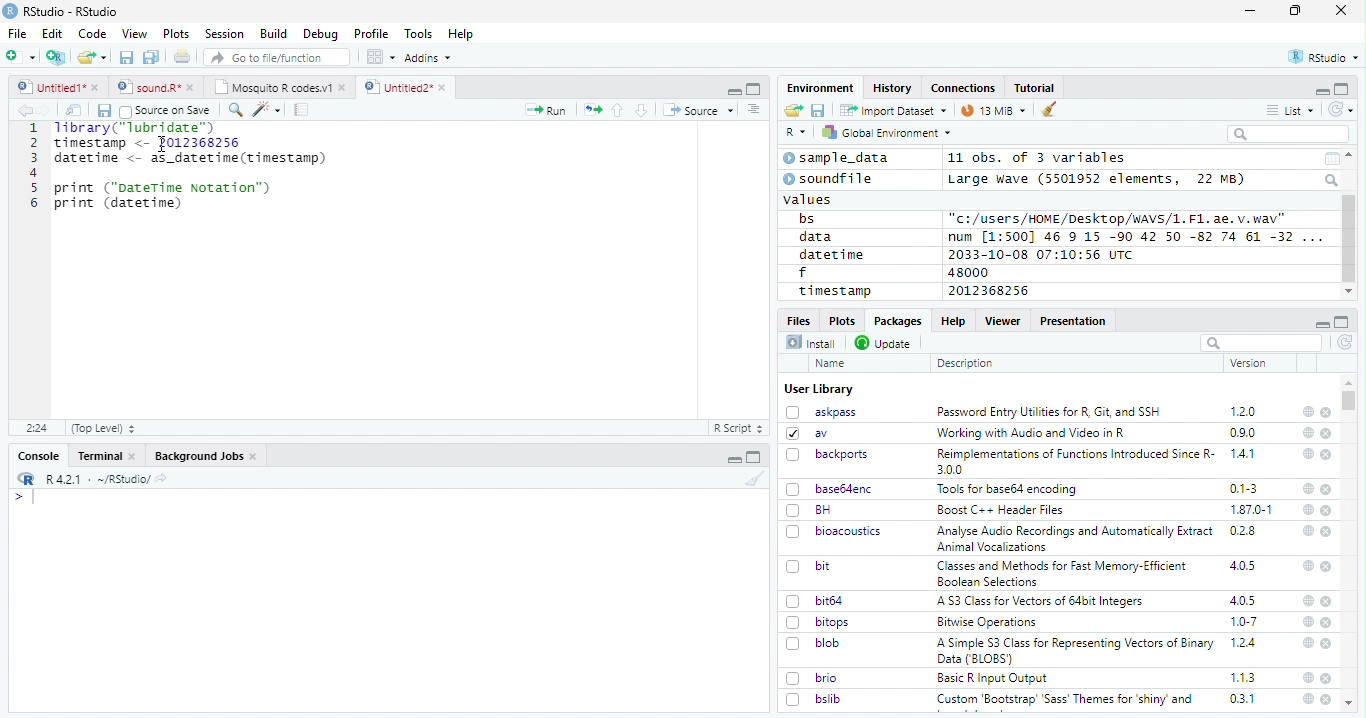 The width and height of the screenshot is (1366, 718). I want to click on minimize, so click(1253, 11).